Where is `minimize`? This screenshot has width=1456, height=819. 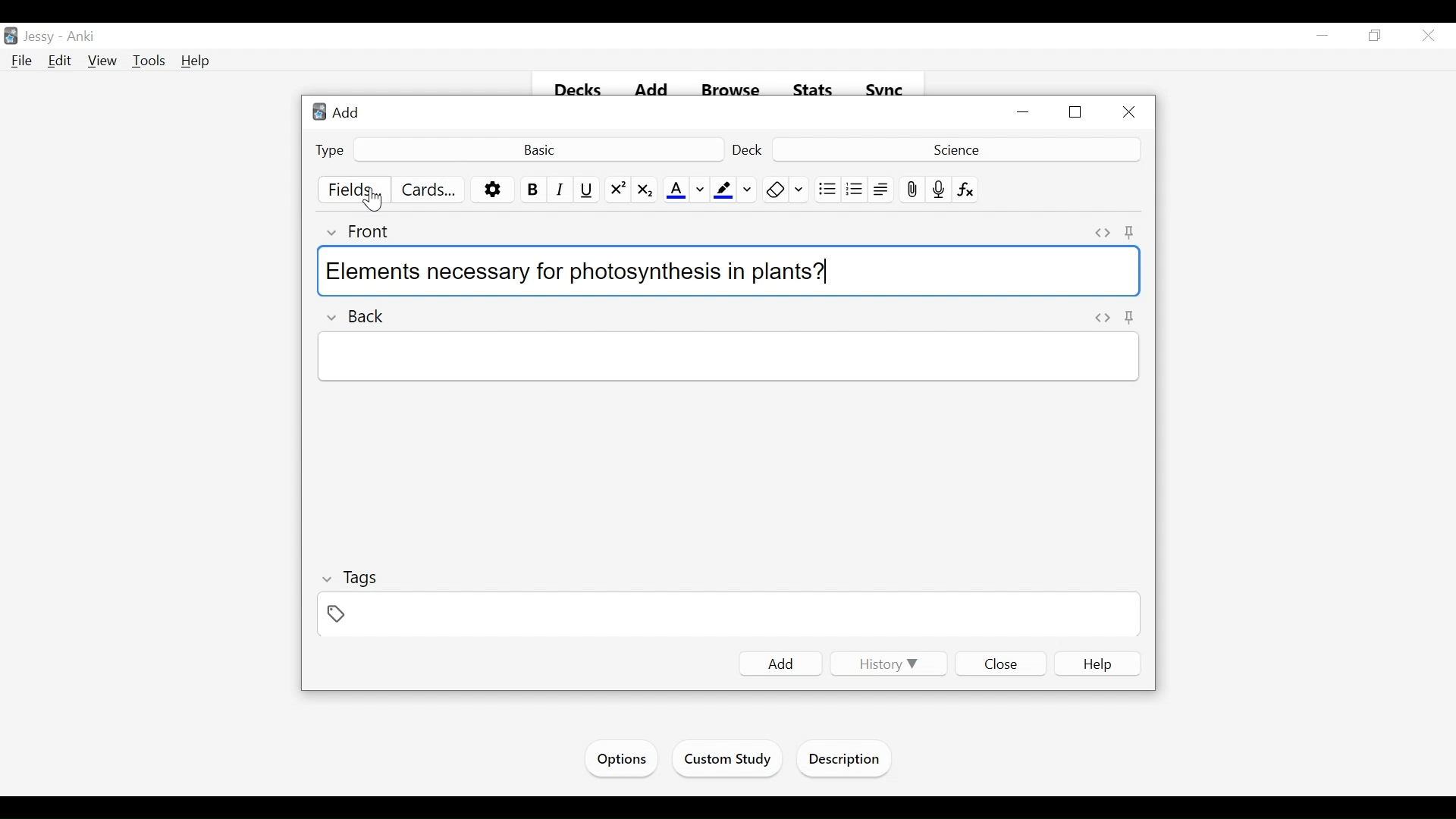
minimize is located at coordinates (1323, 36).